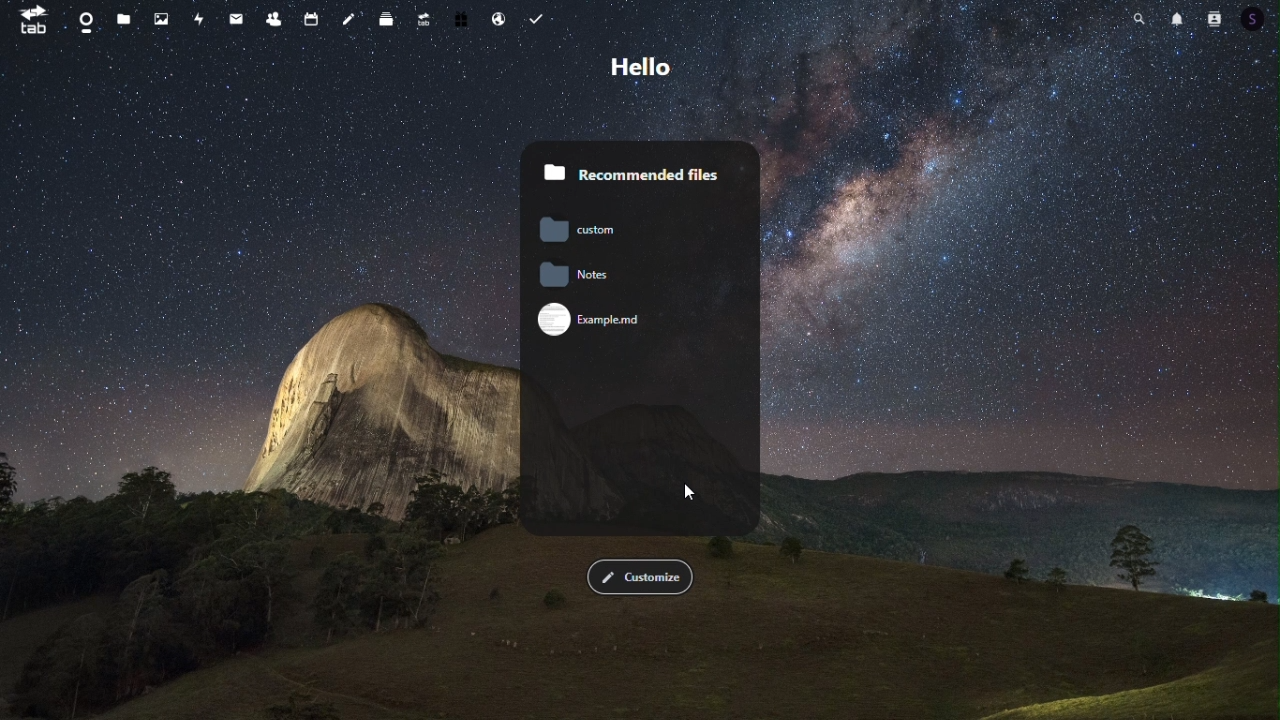 The width and height of the screenshot is (1280, 720). Describe the element at coordinates (693, 493) in the screenshot. I see `Cursor` at that location.